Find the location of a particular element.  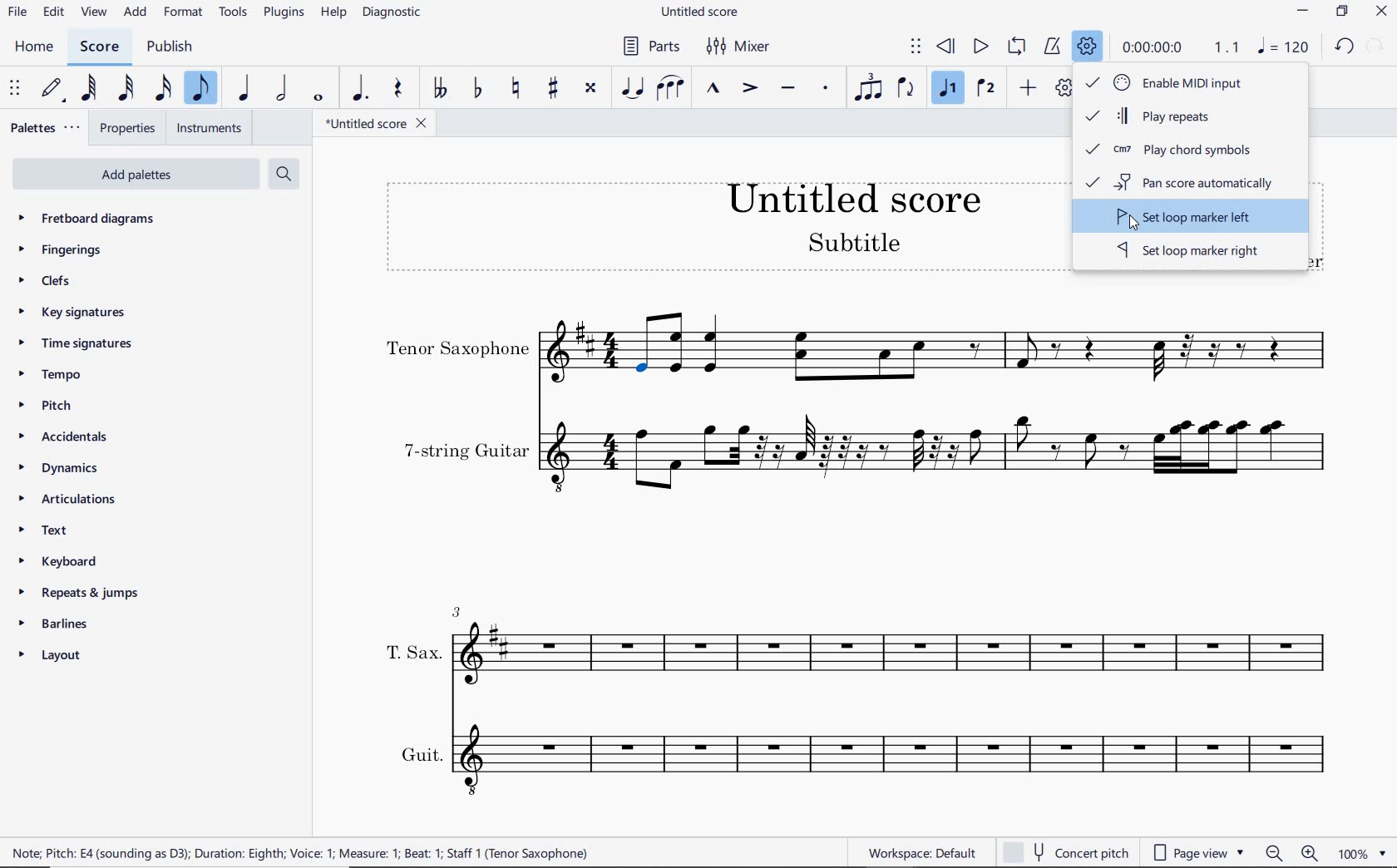

CONCERT PITCH is located at coordinates (1065, 851).